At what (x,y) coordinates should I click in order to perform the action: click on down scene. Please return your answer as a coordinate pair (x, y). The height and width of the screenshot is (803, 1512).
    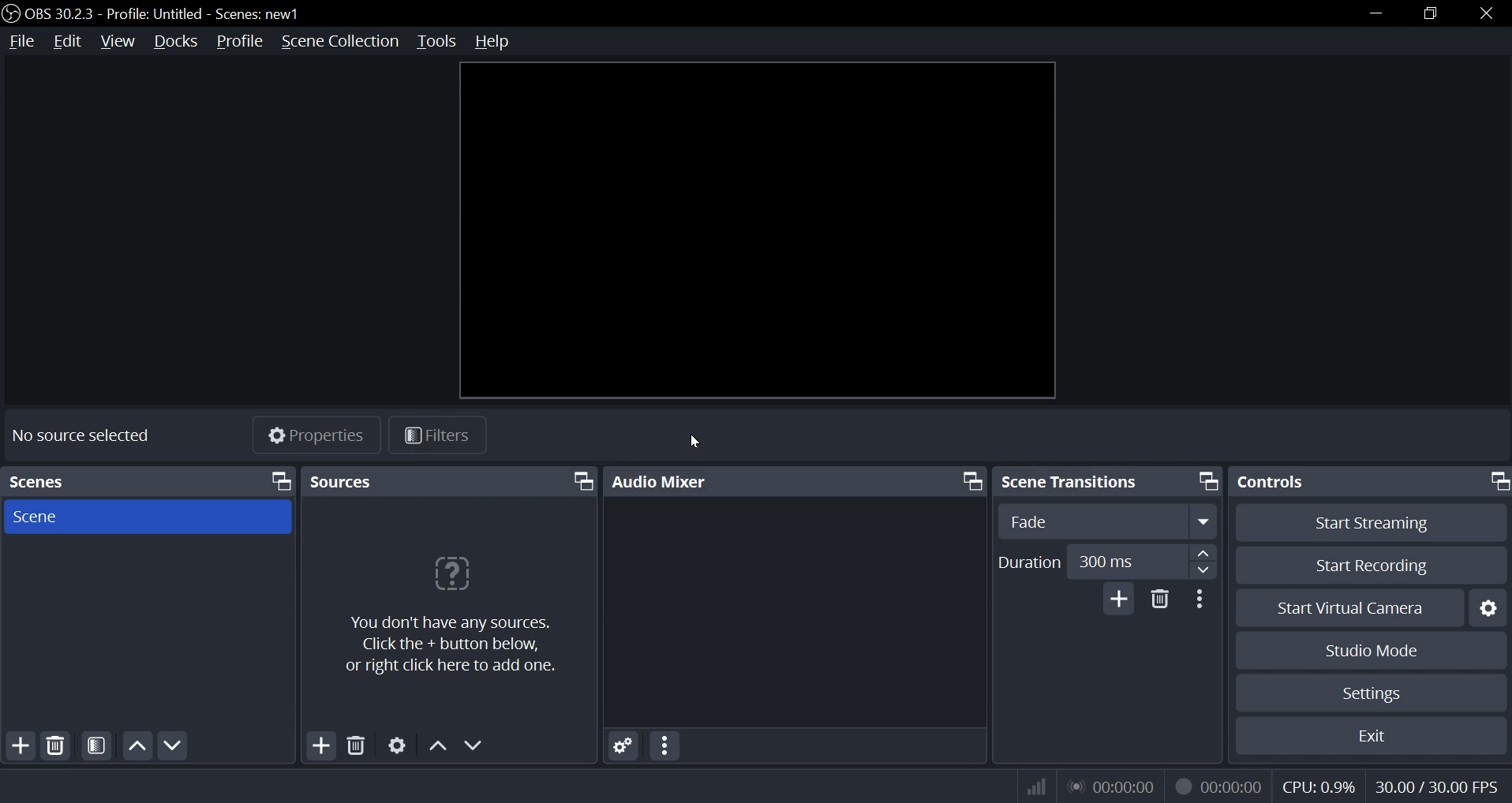
    Looking at the image, I should click on (176, 745).